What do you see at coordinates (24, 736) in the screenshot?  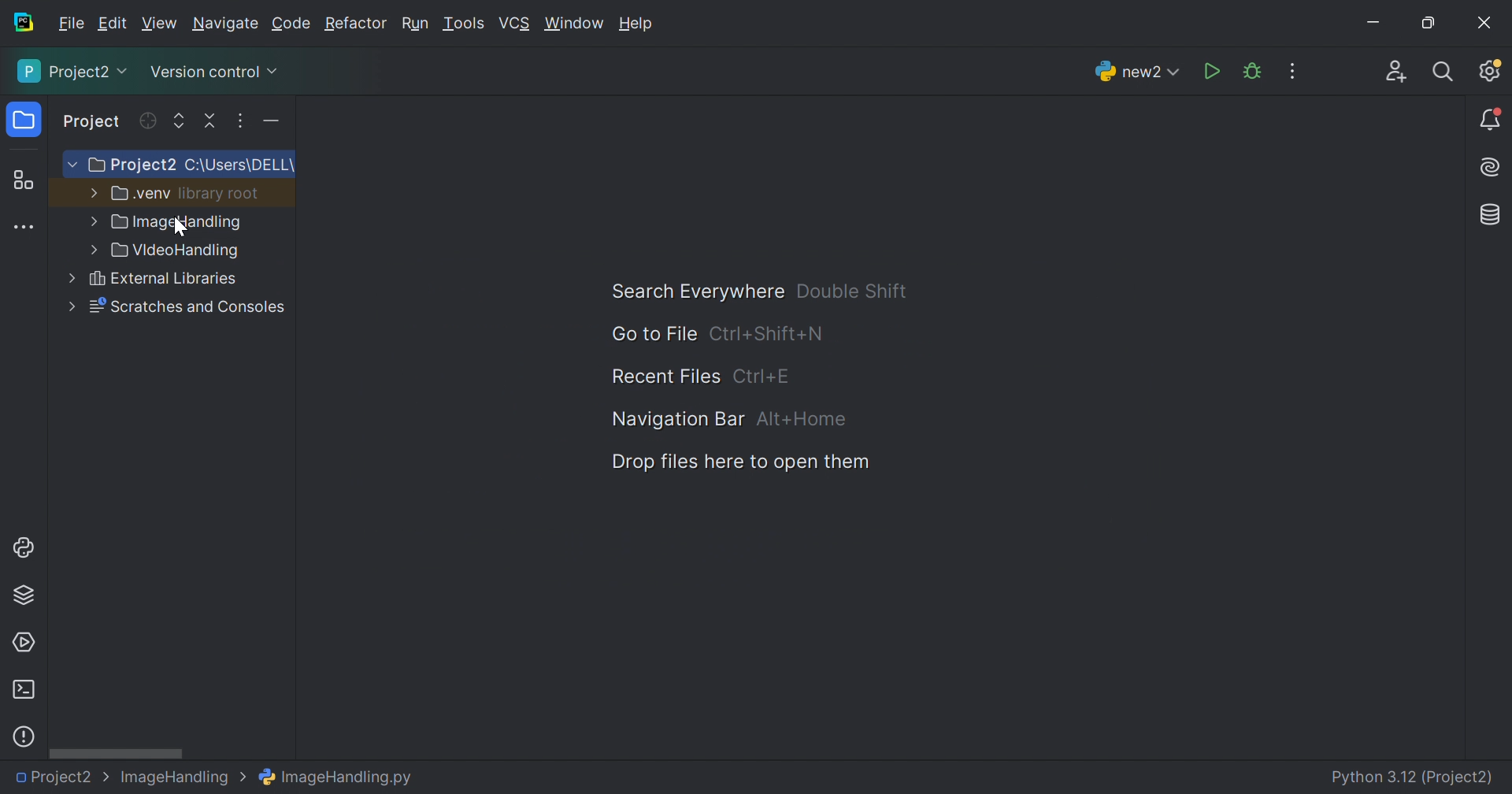 I see `Problems` at bounding box center [24, 736].